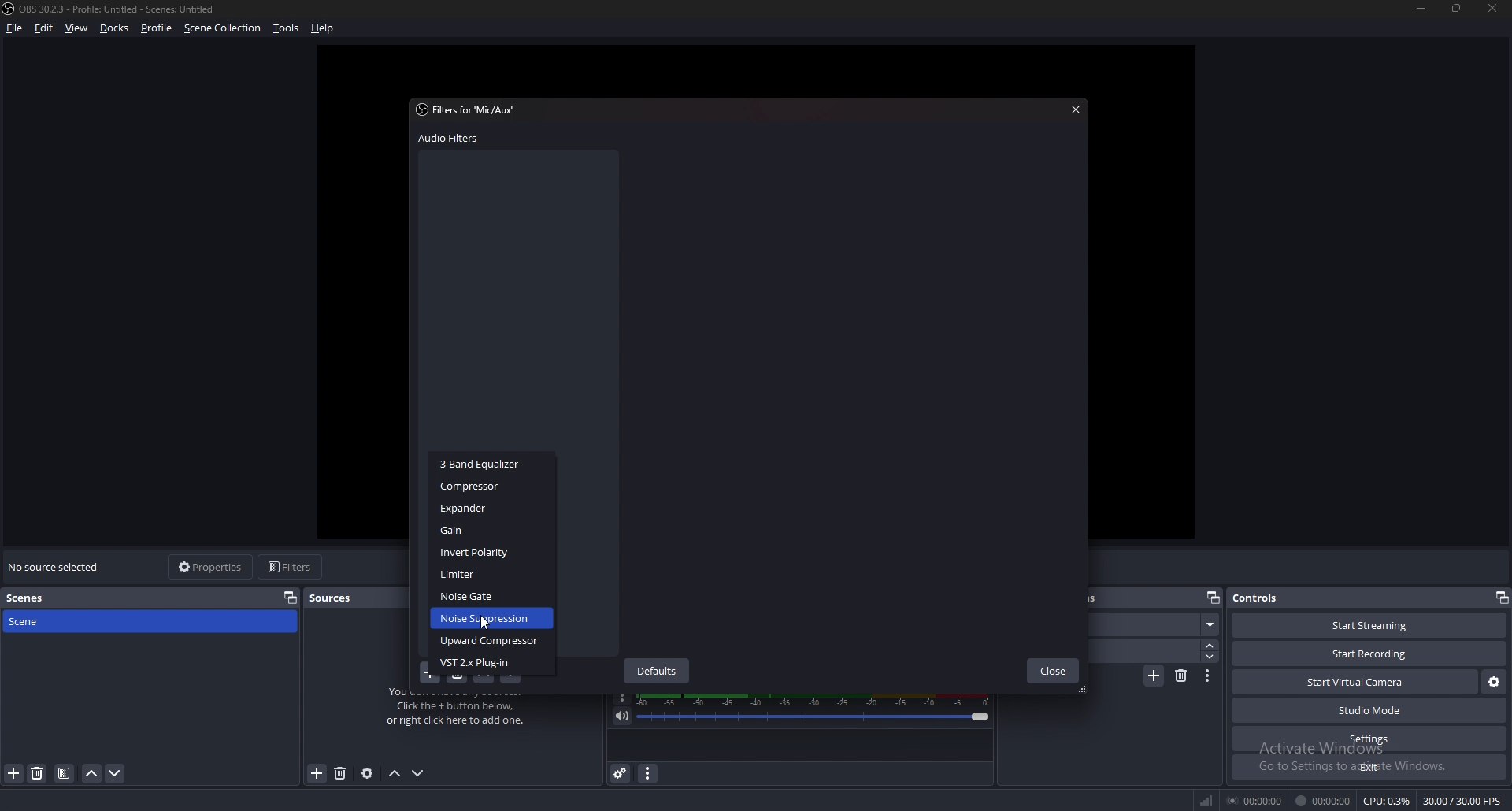 This screenshot has height=811, width=1512. What do you see at coordinates (14, 773) in the screenshot?
I see `add scene` at bounding box center [14, 773].